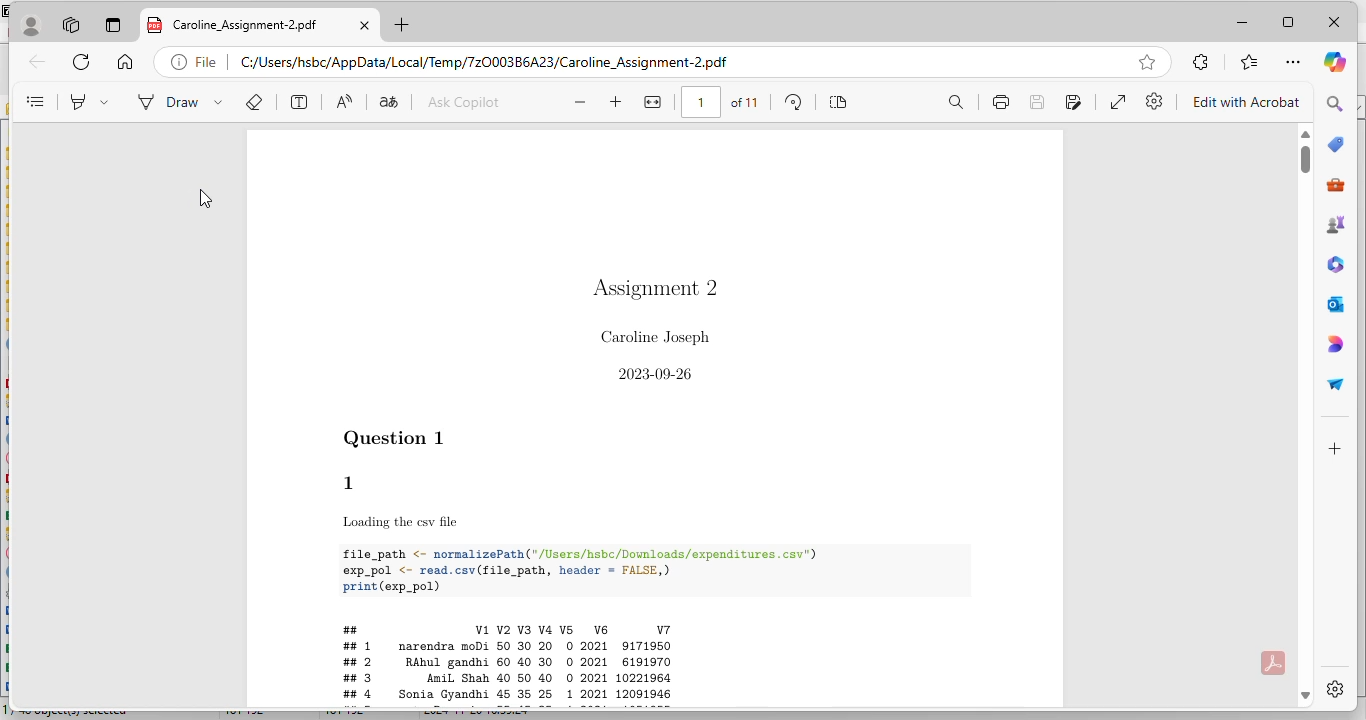 The height and width of the screenshot is (720, 1366). I want to click on fit to width, so click(653, 102).